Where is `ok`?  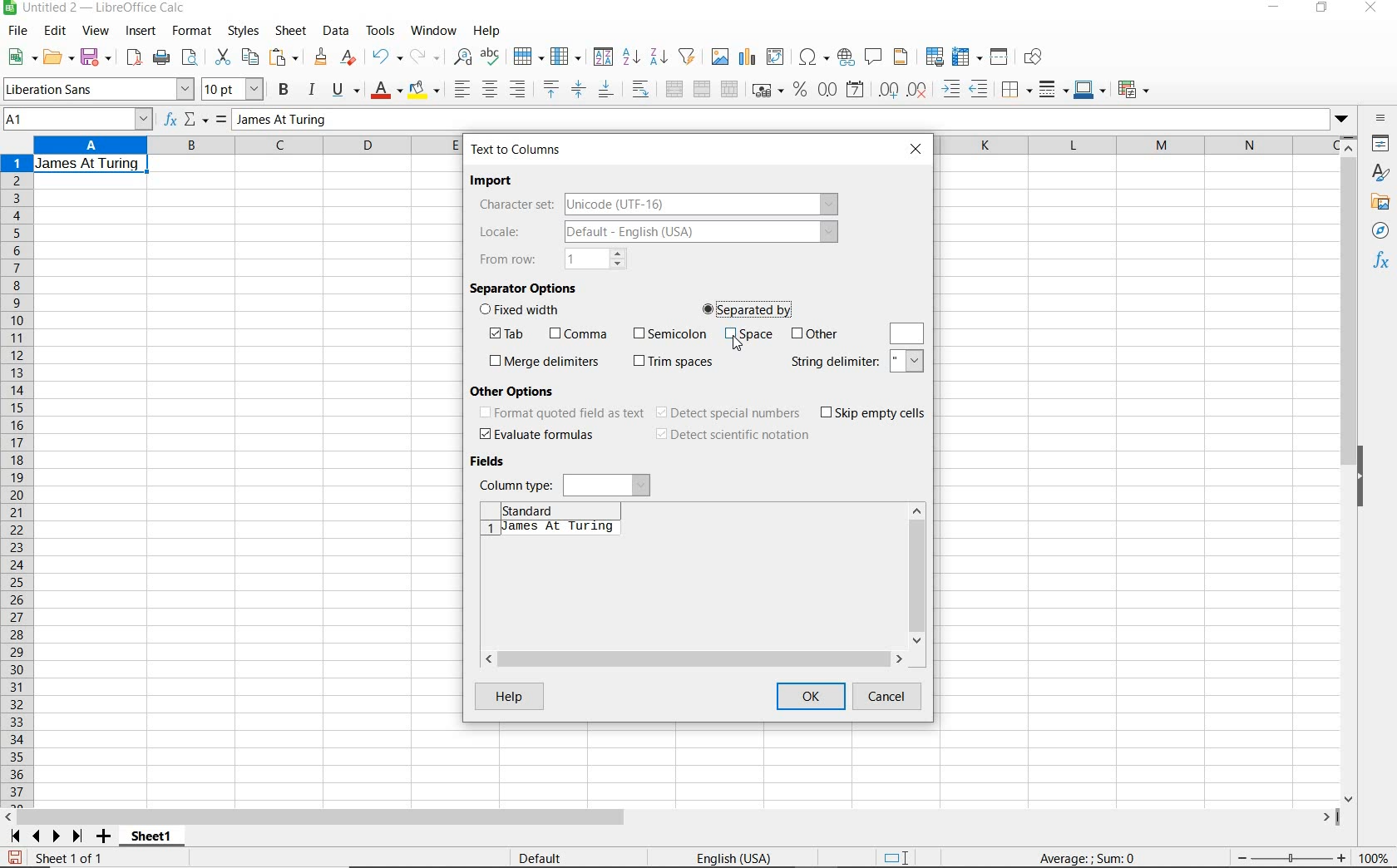 ok is located at coordinates (811, 698).